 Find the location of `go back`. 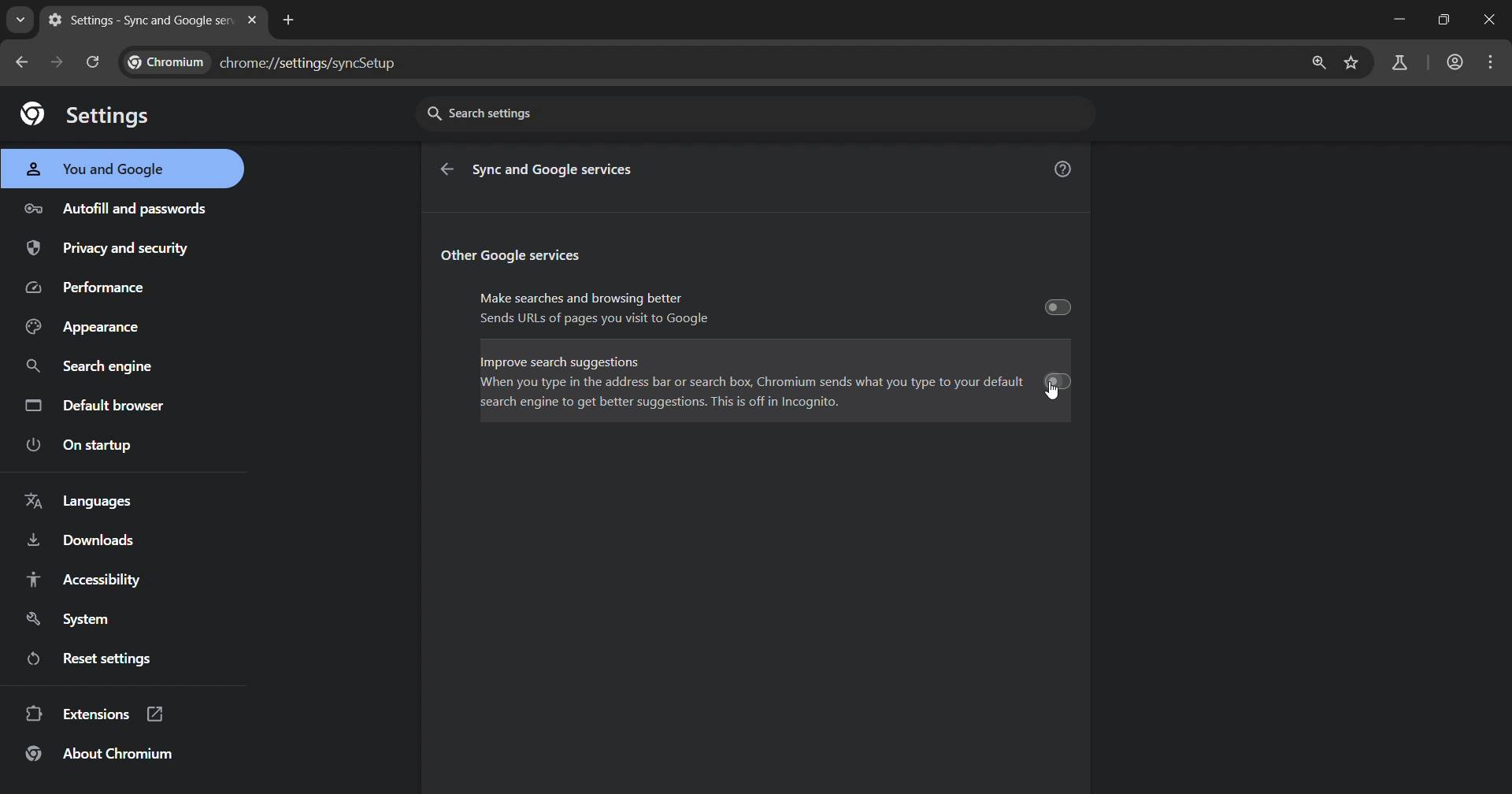

go back is located at coordinates (448, 169).